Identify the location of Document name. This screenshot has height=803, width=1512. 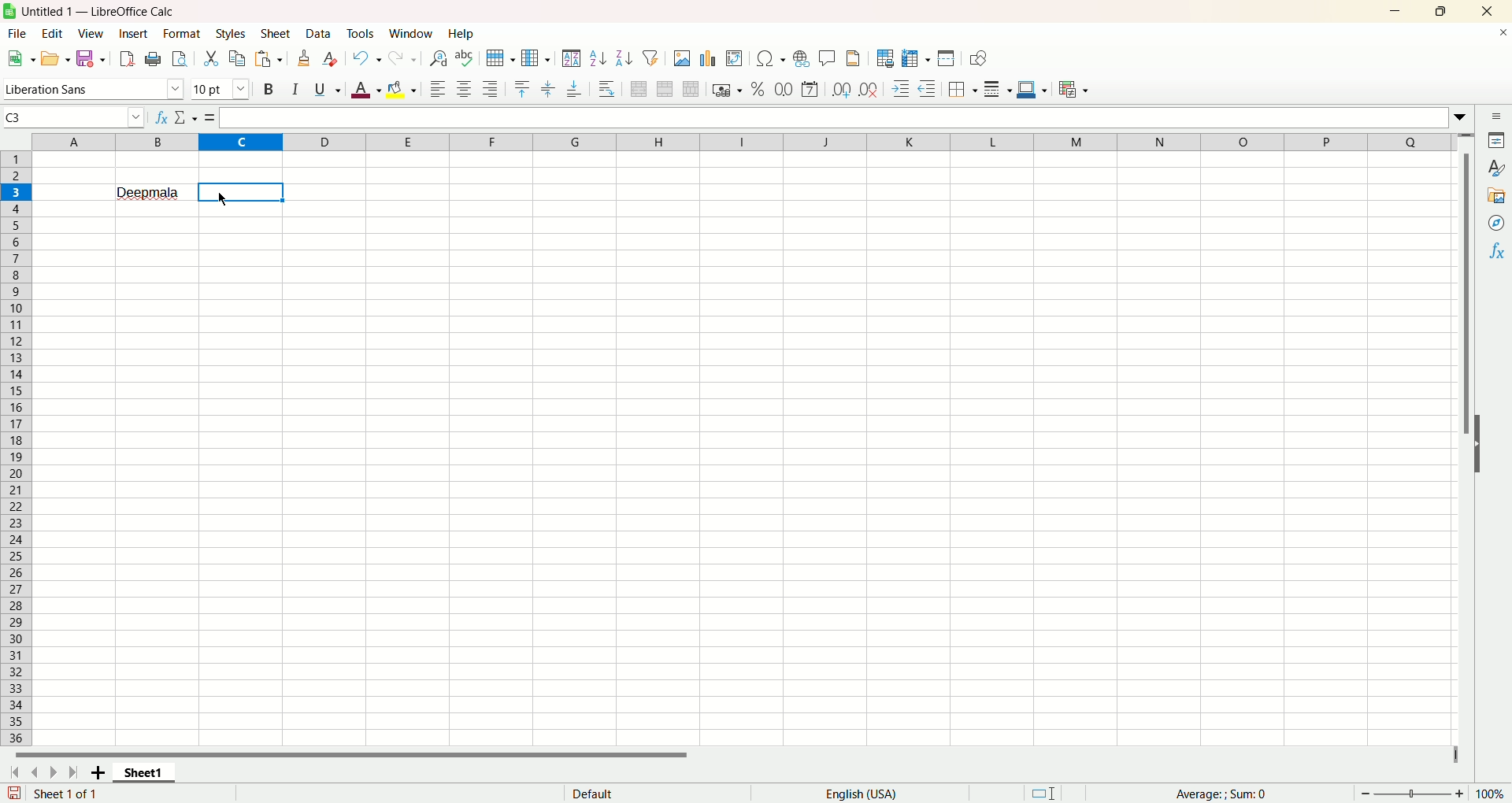
(103, 9).